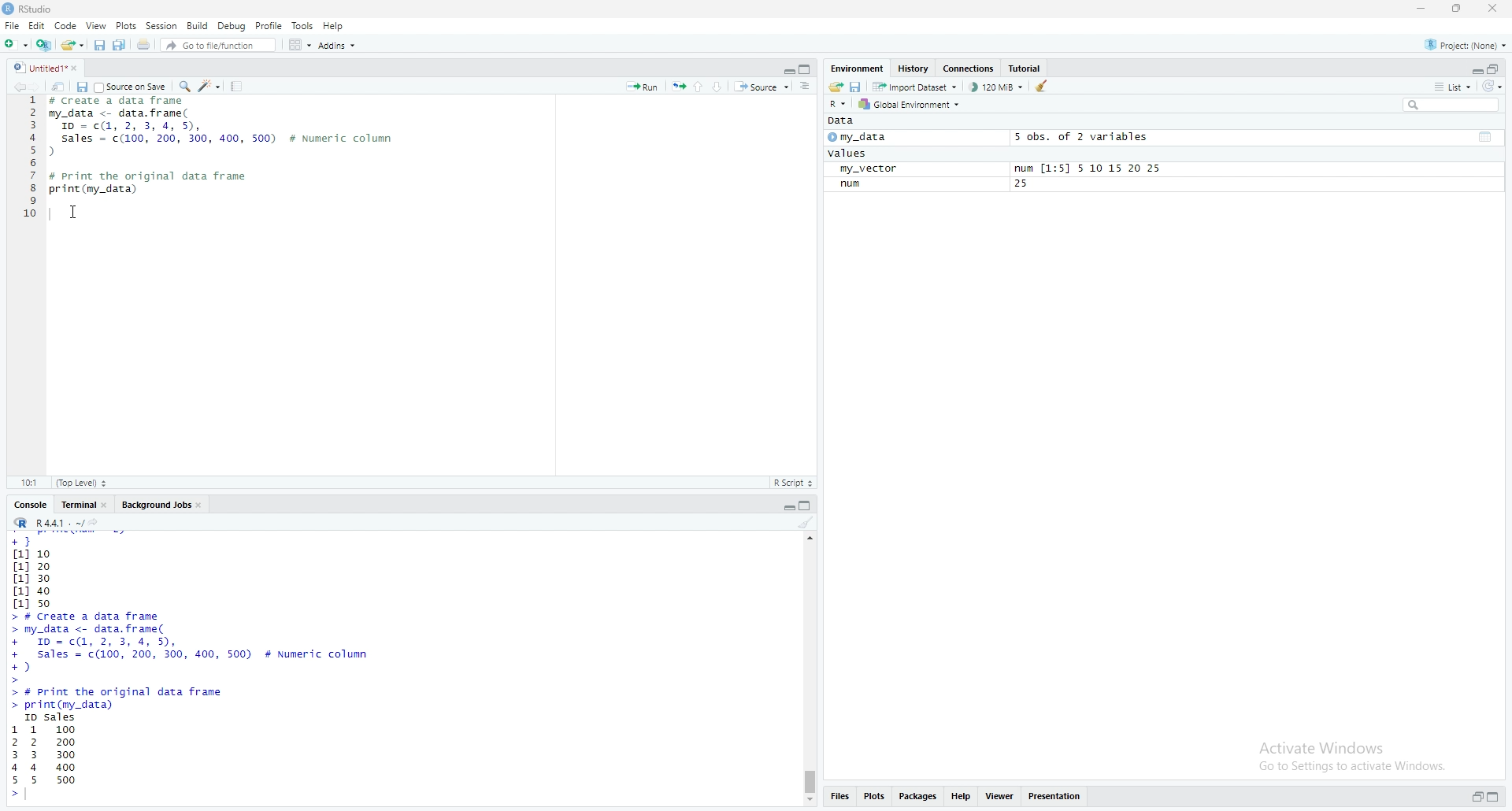  What do you see at coordinates (126, 102) in the screenshot?
I see `# create a data frame` at bounding box center [126, 102].